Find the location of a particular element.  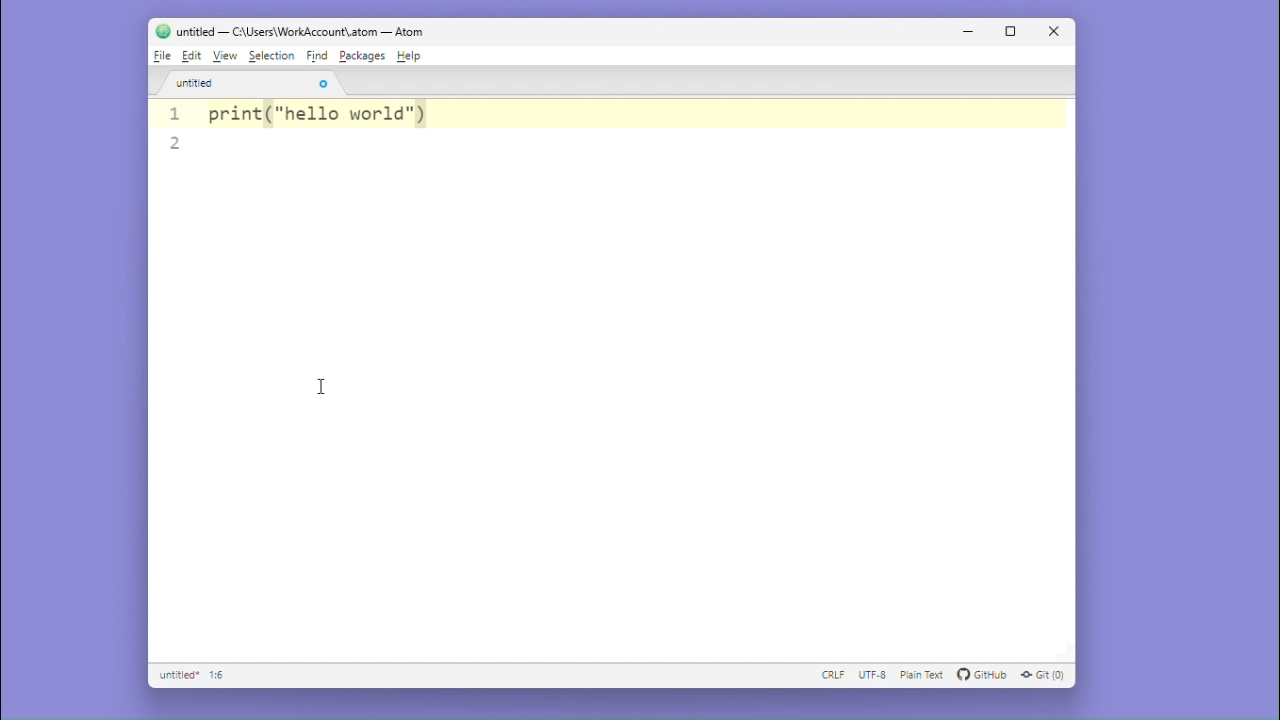

Close is located at coordinates (1055, 30).